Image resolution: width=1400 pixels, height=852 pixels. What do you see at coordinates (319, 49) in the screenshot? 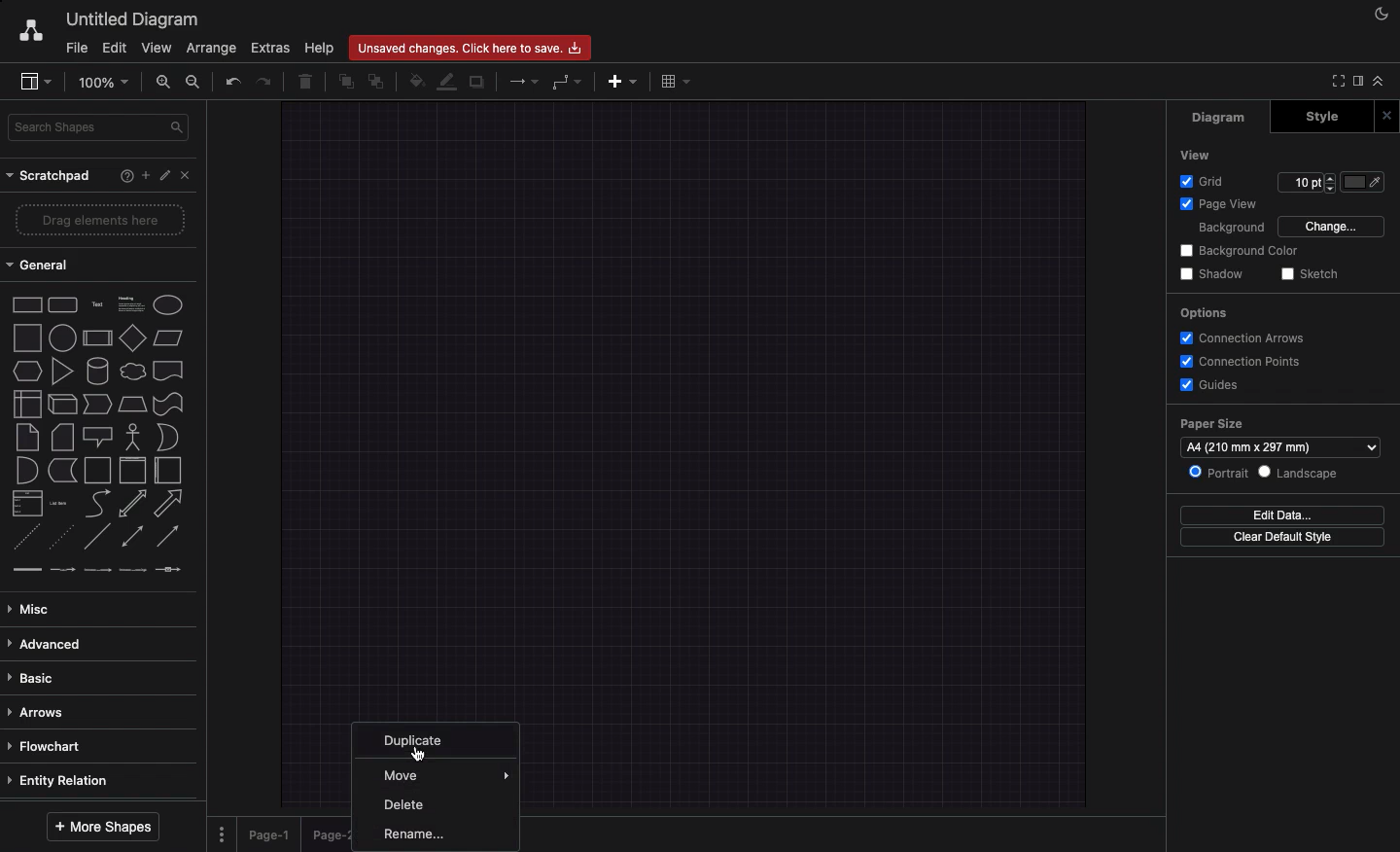
I see `Help` at bounding box center [319, 49].